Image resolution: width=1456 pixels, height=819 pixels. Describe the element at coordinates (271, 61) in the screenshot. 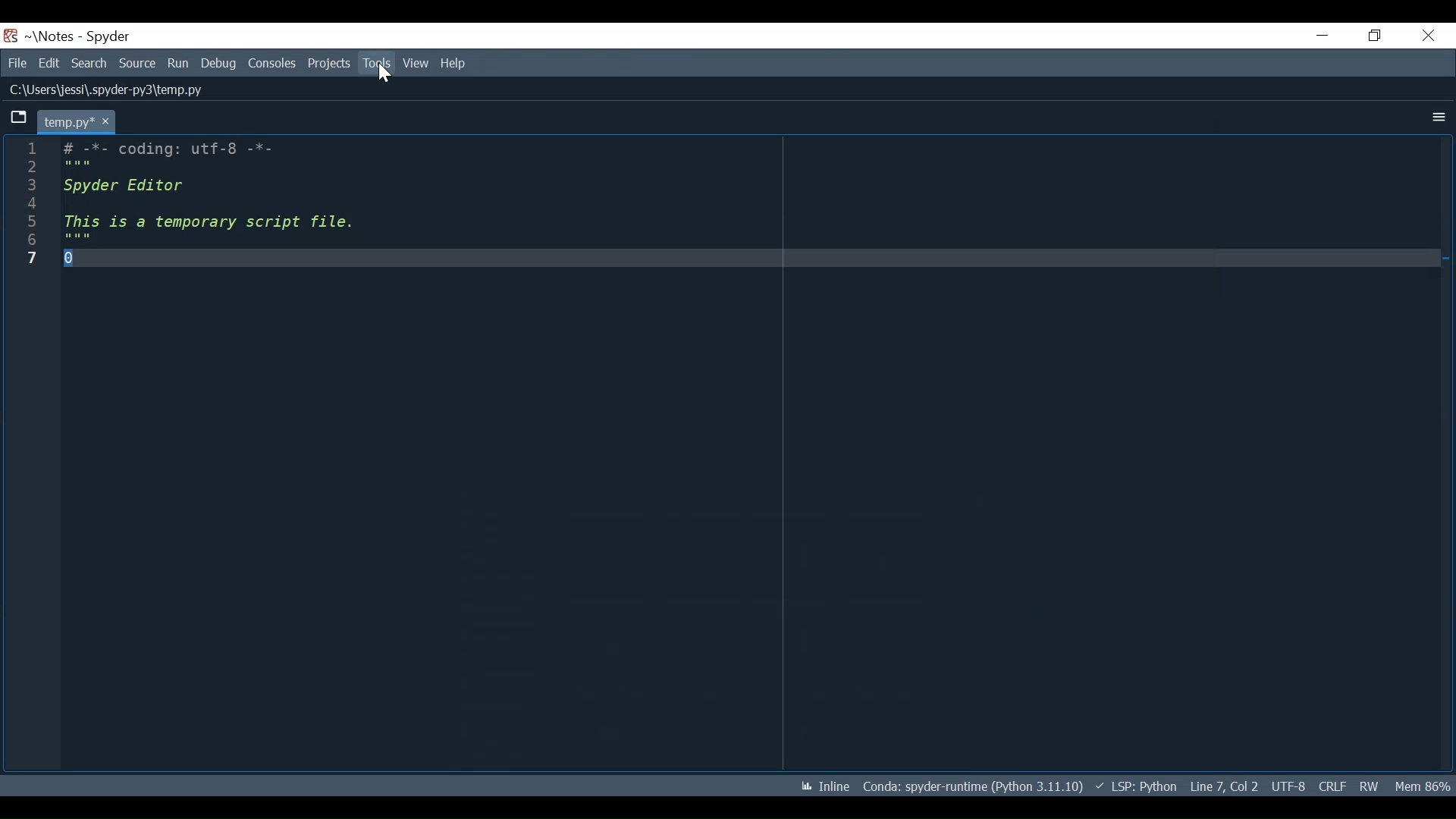

I see `Consoles` at that location.